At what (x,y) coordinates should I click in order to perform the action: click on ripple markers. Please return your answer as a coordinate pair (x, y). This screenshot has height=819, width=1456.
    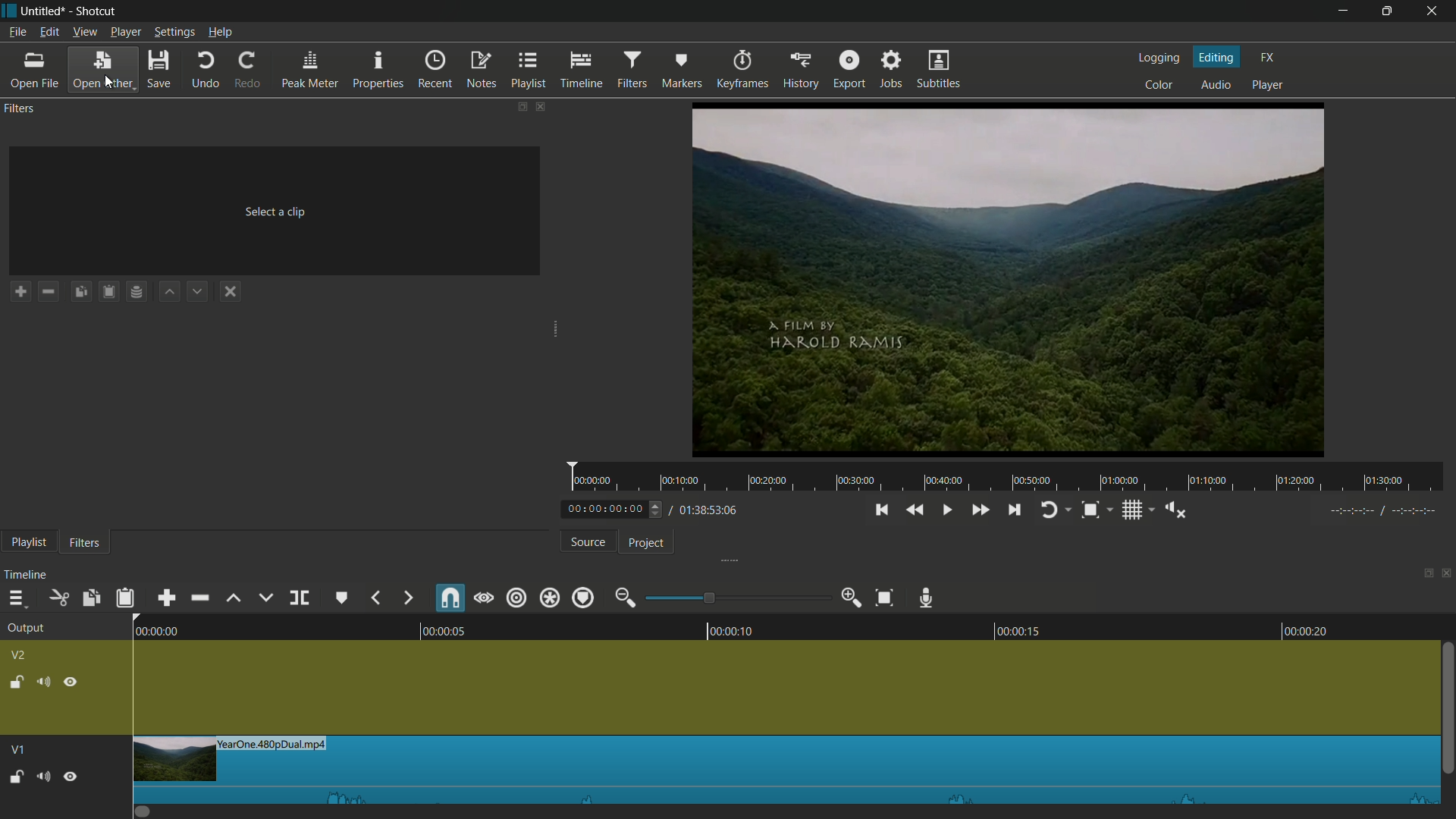
    Looking at the image, I should click on (582, 598).